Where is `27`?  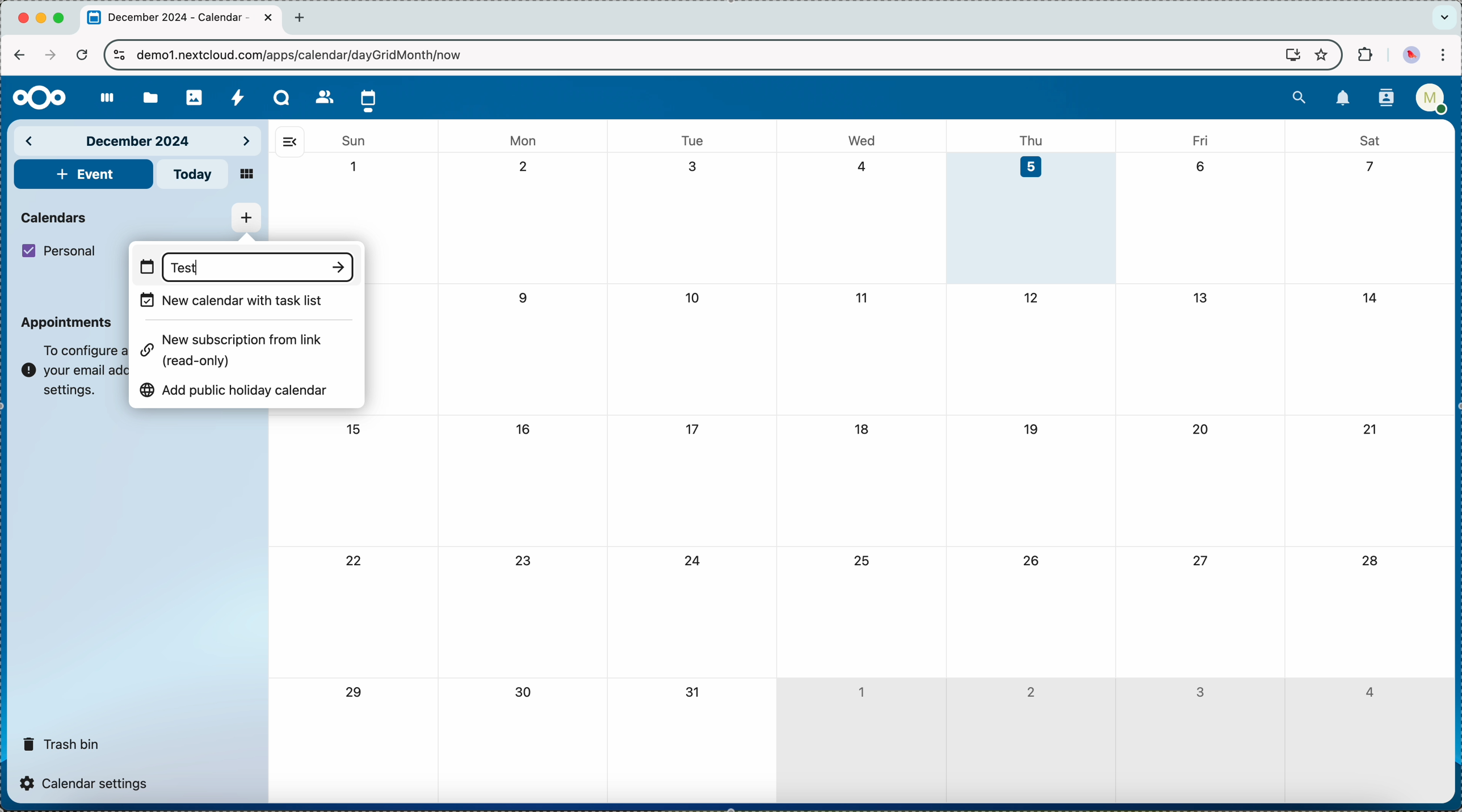
27 is located at coordinates (1199, 559).